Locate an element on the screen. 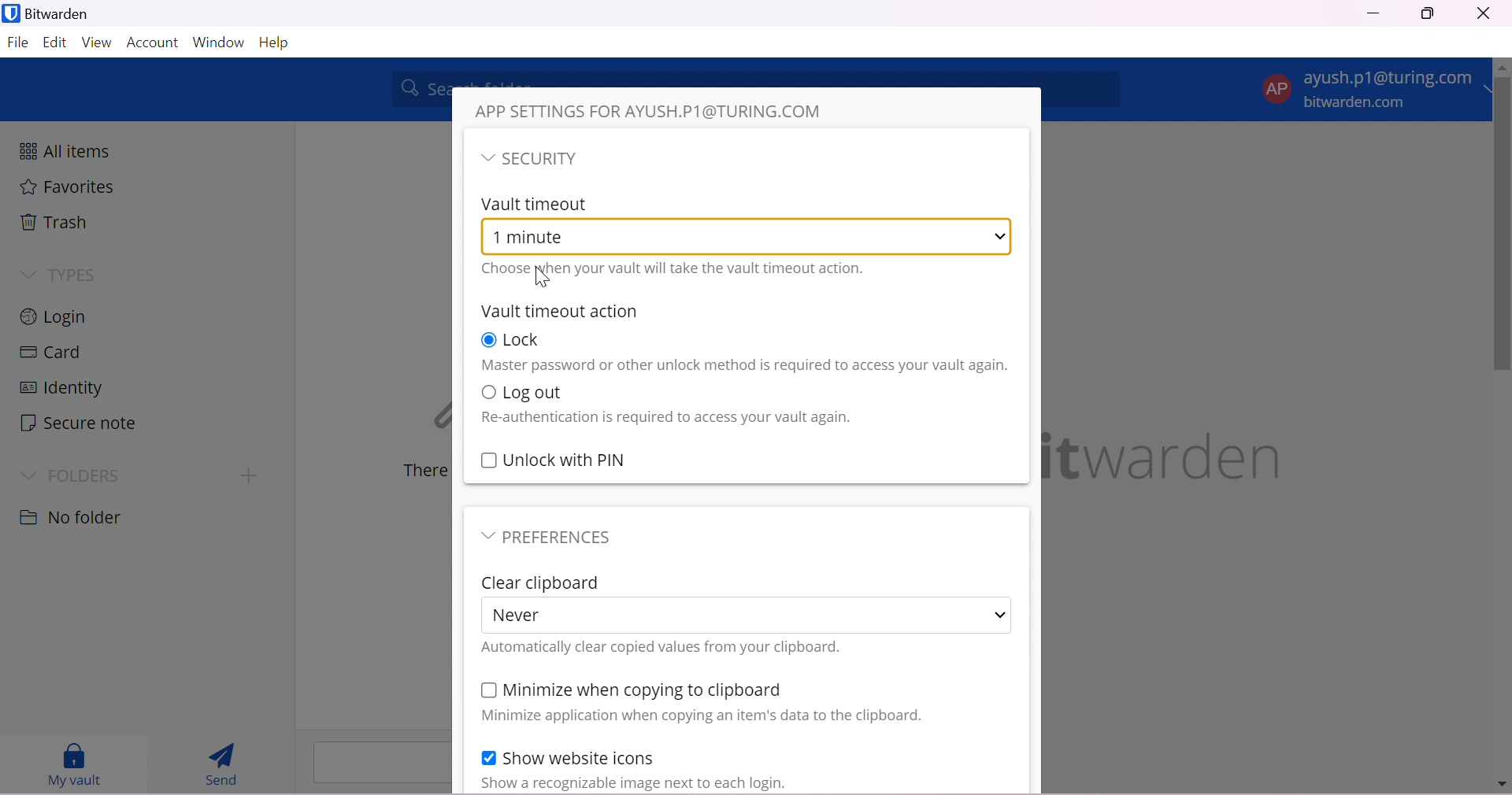  Drop Down is located at coordinates (31, 476).